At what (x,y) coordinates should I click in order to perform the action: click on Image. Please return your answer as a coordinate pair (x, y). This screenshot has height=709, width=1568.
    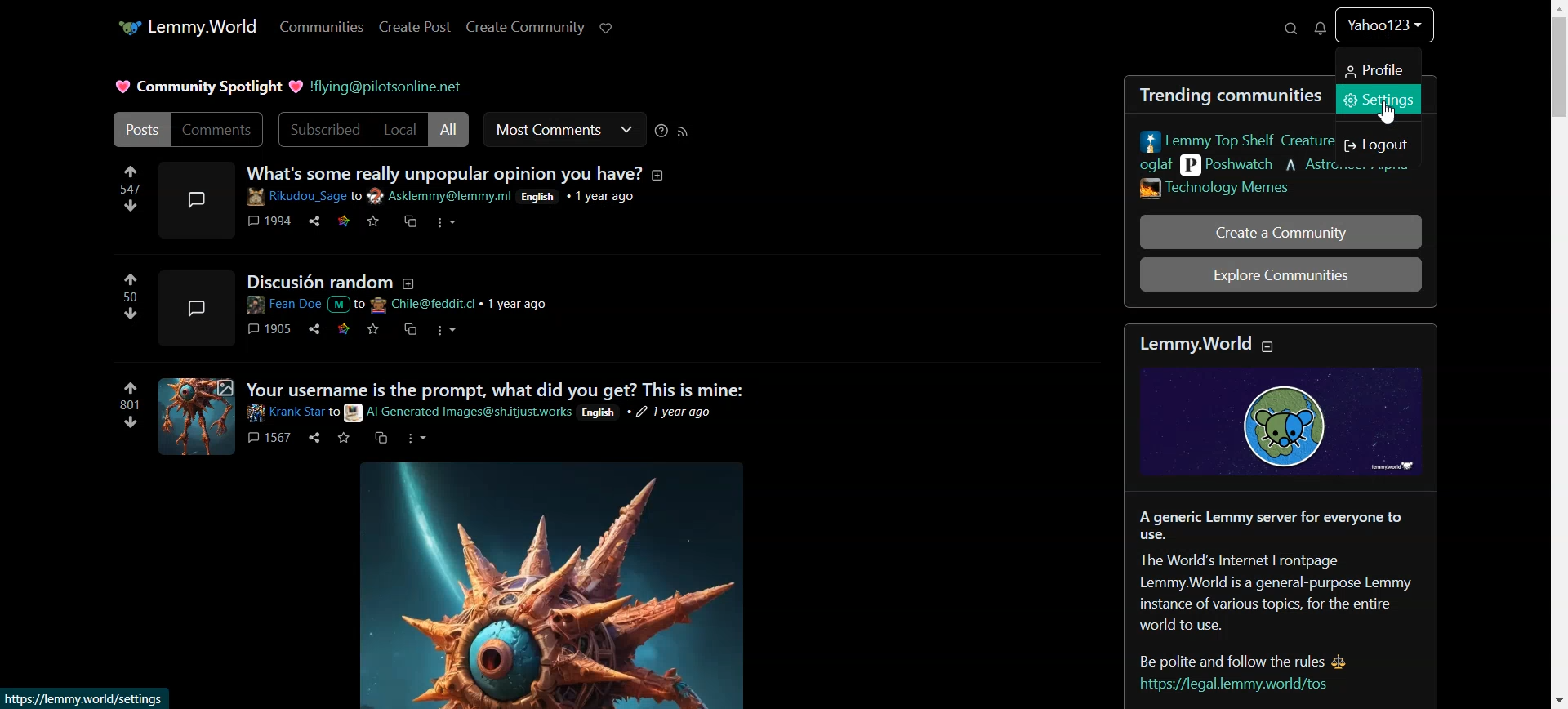
    Looking at the image, I should click on (554, 589).